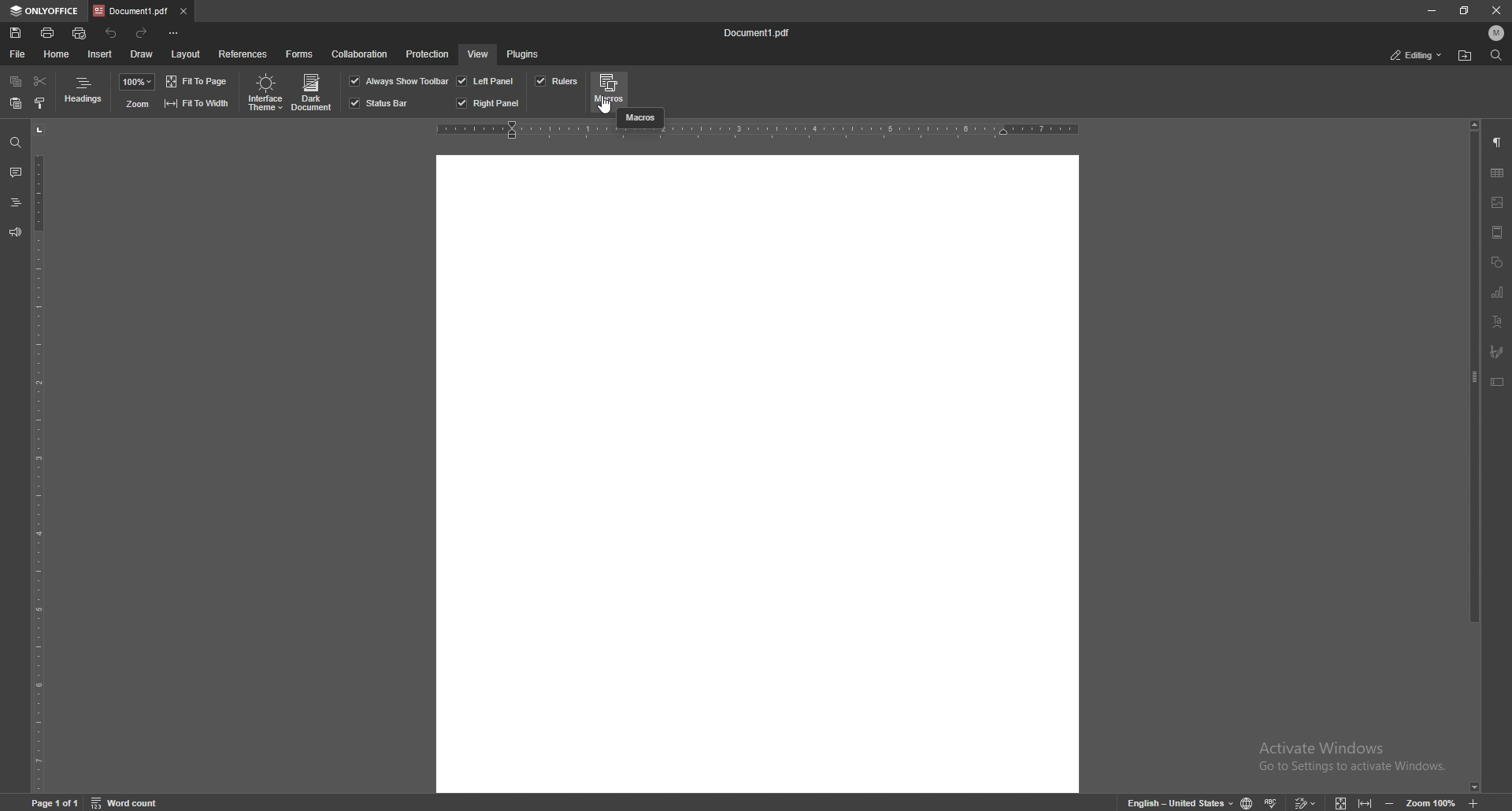 This screenshot has width=1512, height=811. I want to click on protection, so click(428, 53).